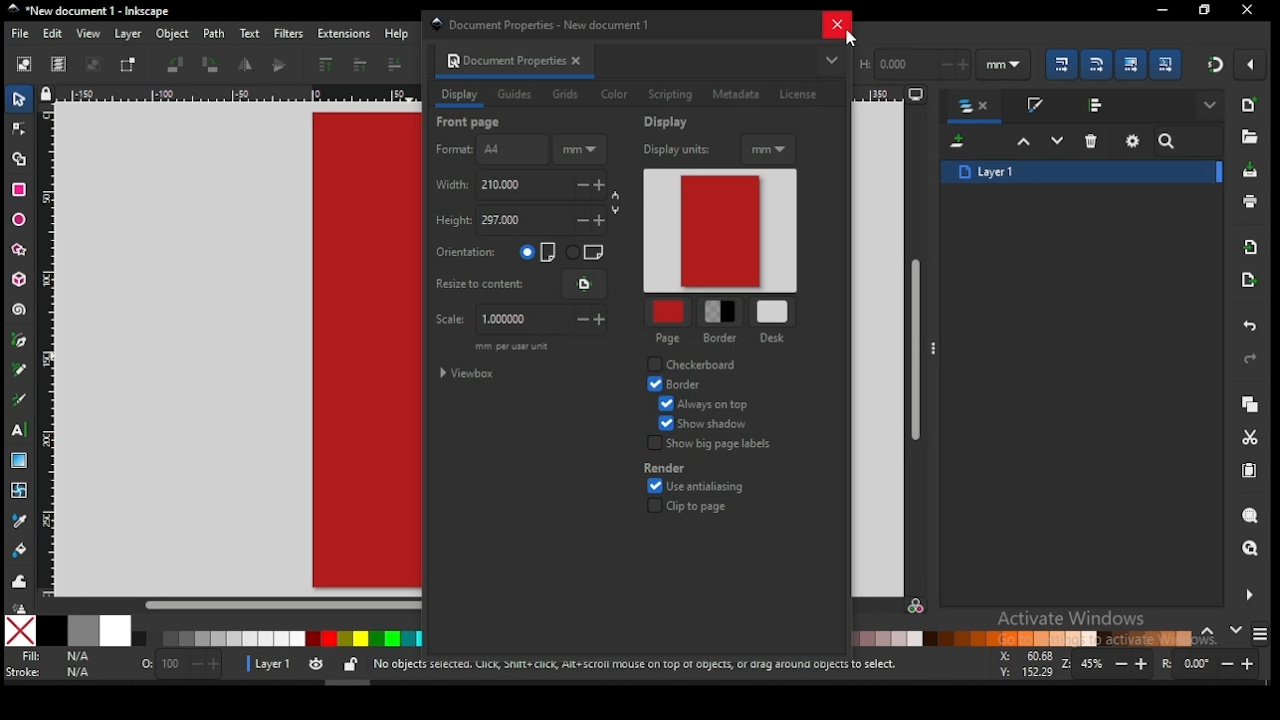 The height and width of the screenshot is (720, 1280). What do you see at coordinates (83, 631) in the screenshot?
I see `50% grey` at bounding box center [83, 631].